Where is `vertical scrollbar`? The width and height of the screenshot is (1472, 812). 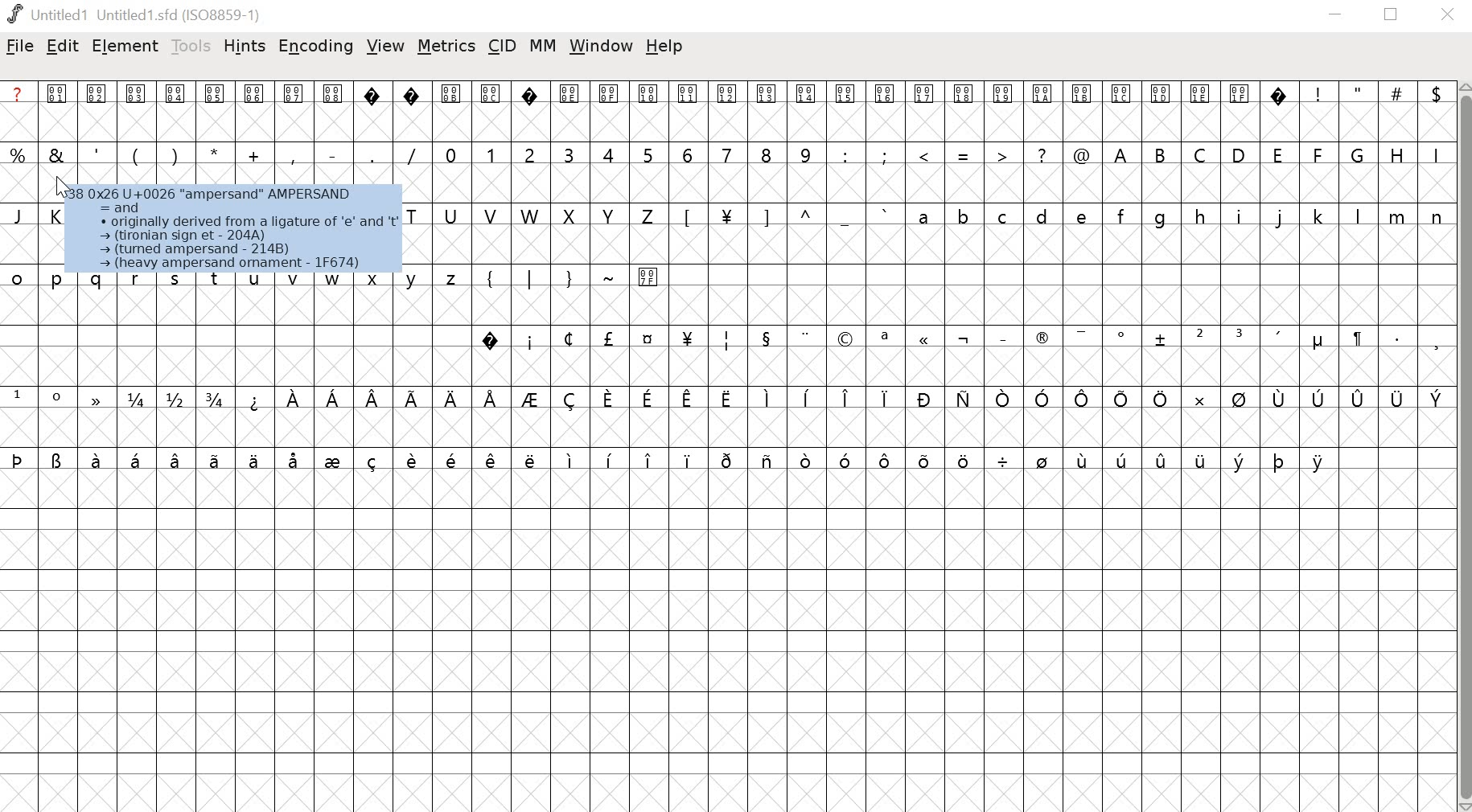
vertical scrollbar is located at coordinates (1463, 446).